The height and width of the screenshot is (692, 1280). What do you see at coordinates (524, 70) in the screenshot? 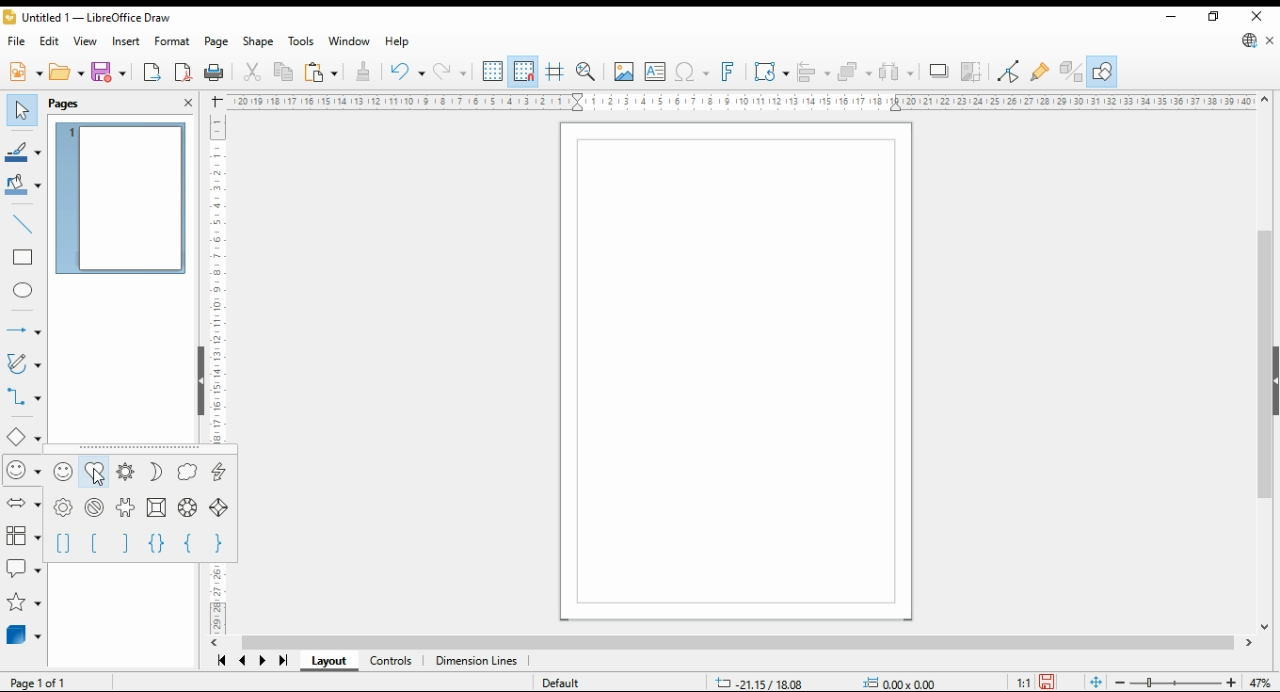
I see `snap to grid` at bounding box center [524, 70].